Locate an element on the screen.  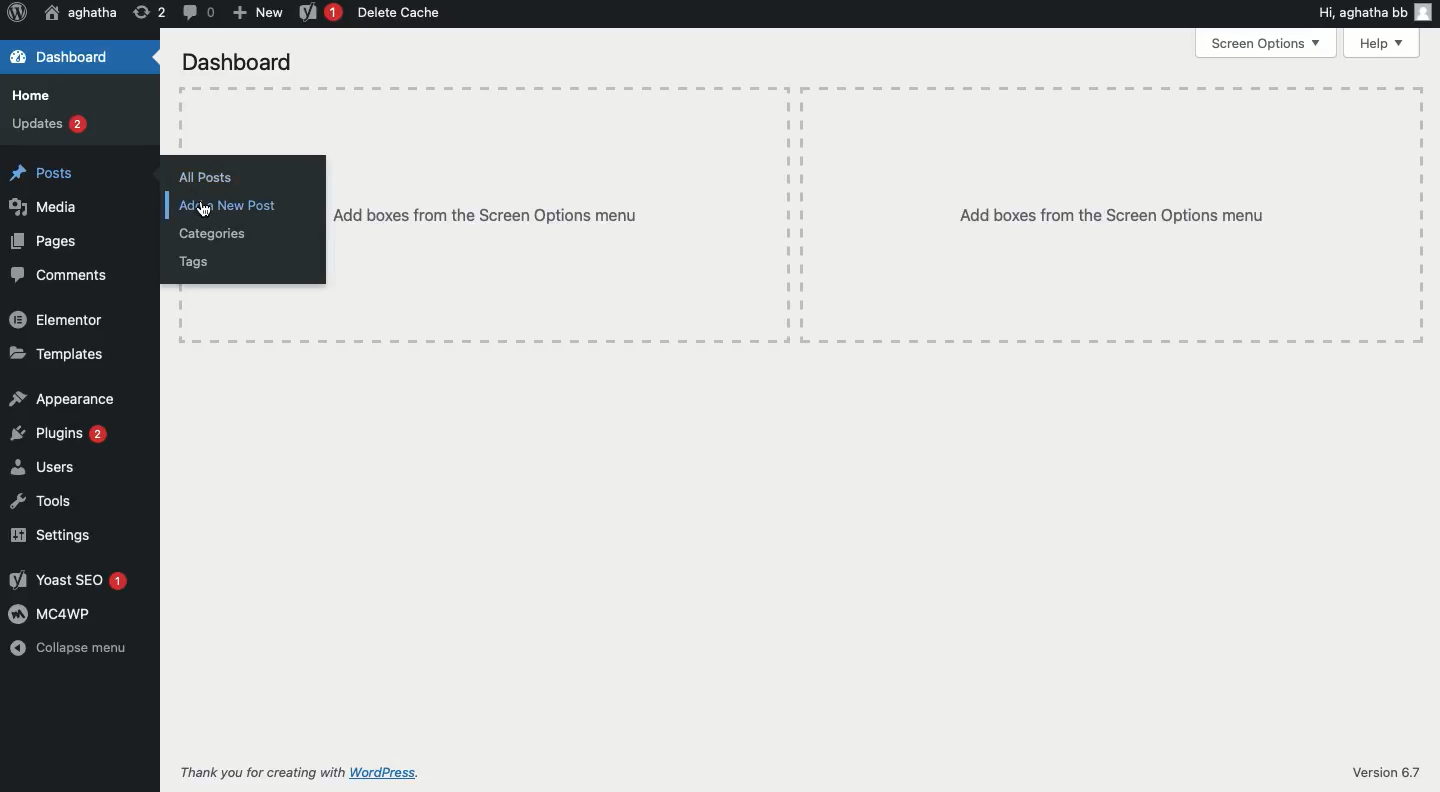
Help  is located at coordinates (1379, 43).